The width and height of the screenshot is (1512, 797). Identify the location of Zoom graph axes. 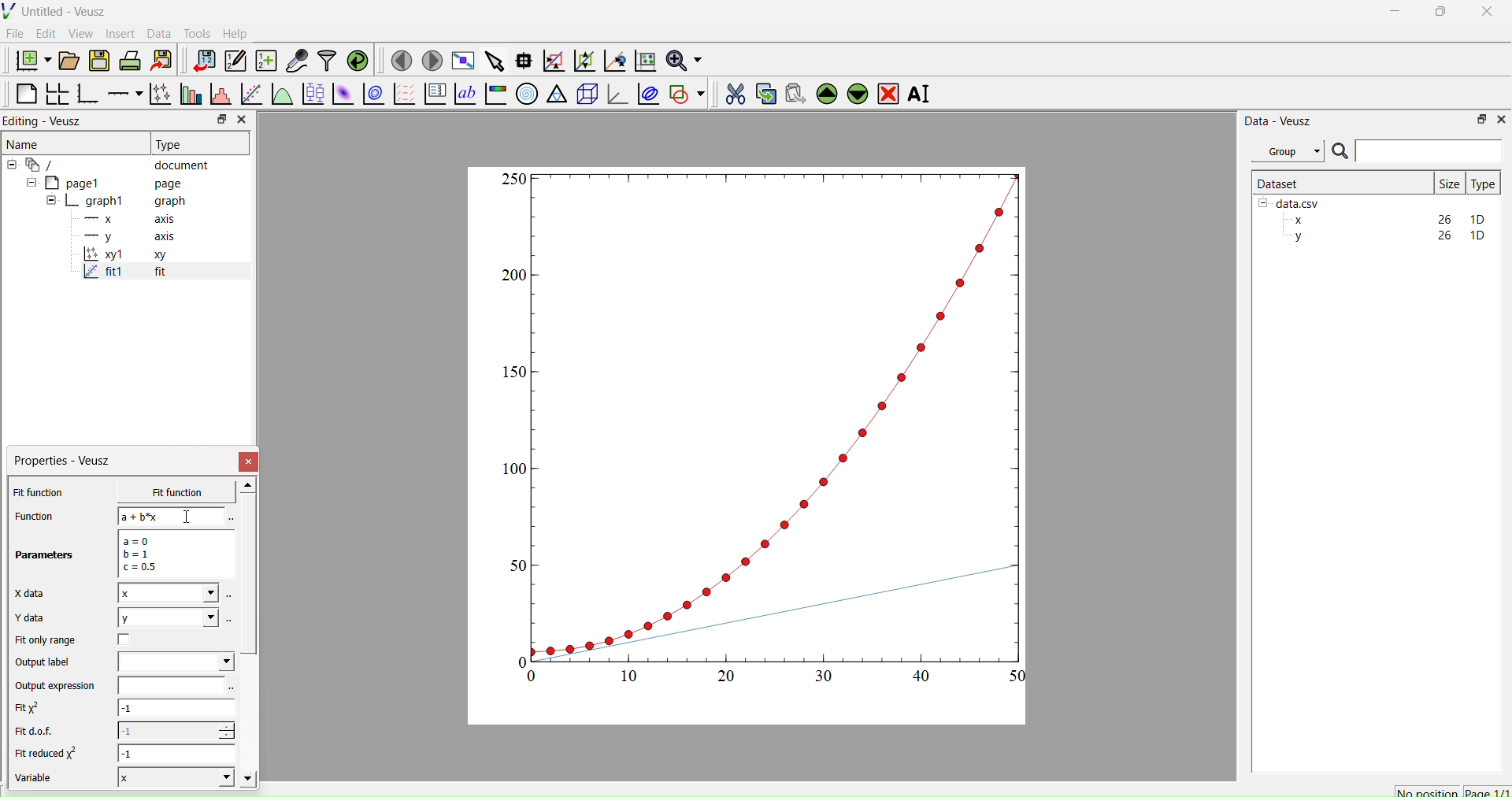
(553, 61).